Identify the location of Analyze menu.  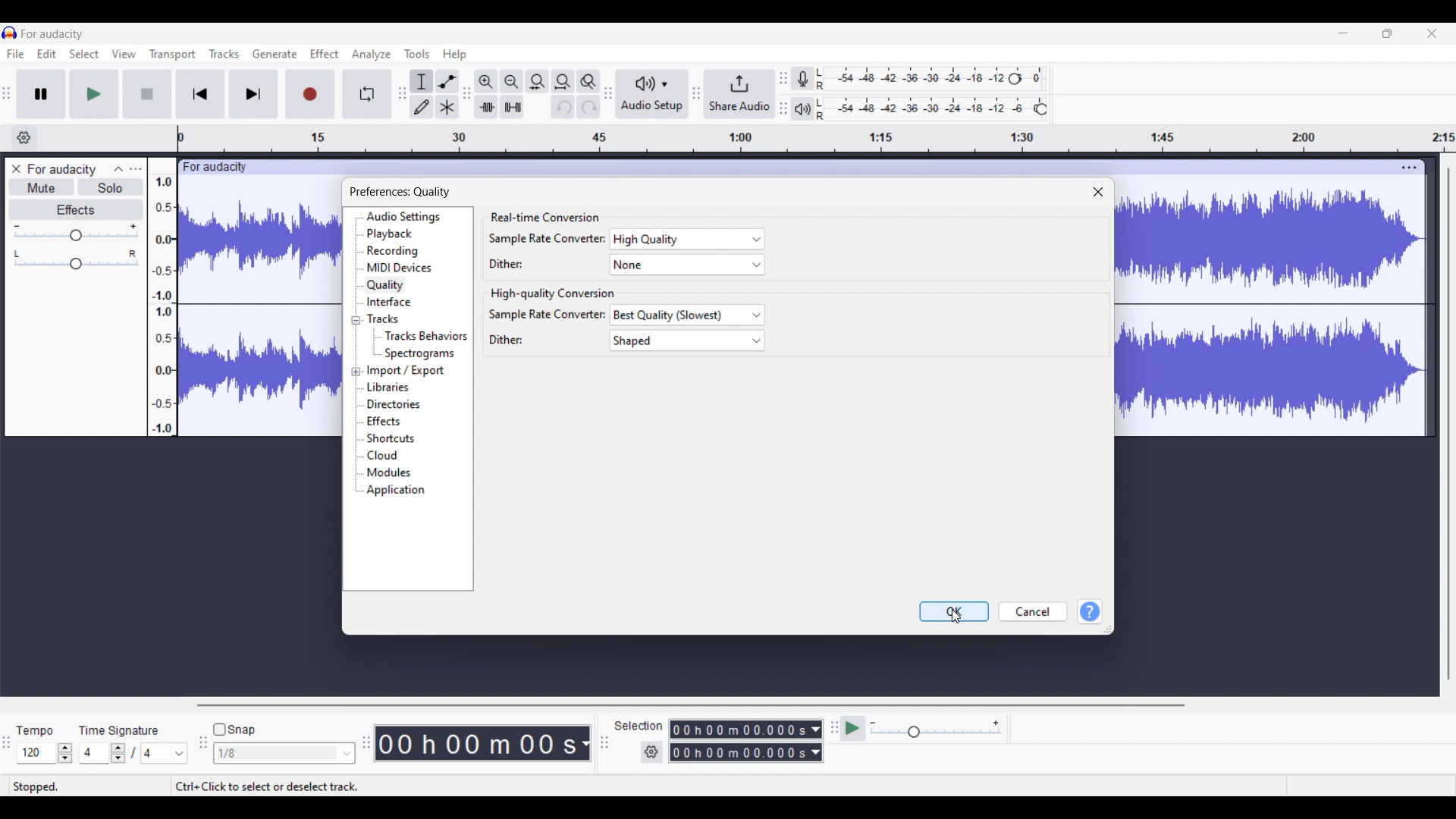
(372, 55).